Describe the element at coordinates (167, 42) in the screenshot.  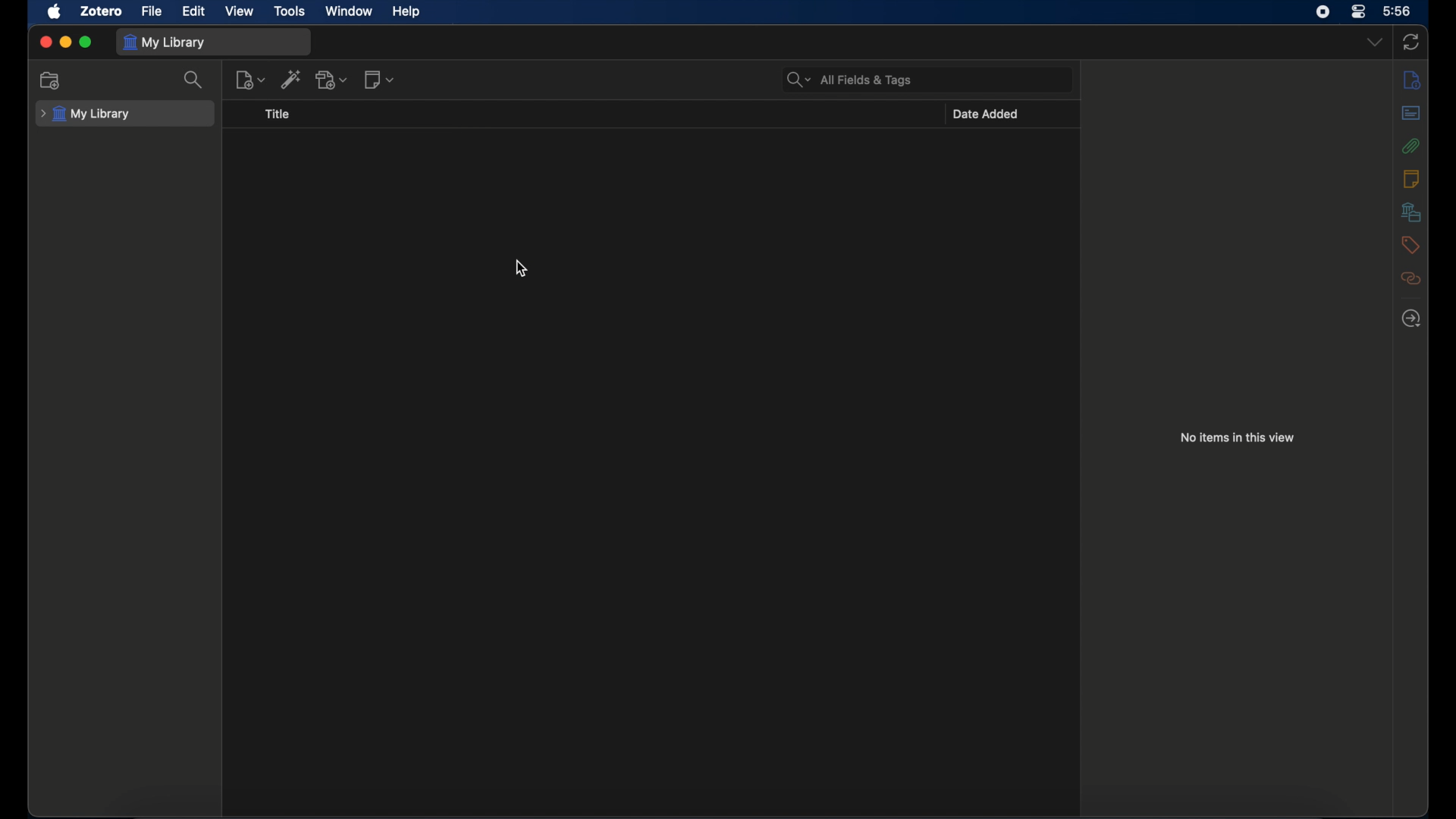
I see `my library` at that location.